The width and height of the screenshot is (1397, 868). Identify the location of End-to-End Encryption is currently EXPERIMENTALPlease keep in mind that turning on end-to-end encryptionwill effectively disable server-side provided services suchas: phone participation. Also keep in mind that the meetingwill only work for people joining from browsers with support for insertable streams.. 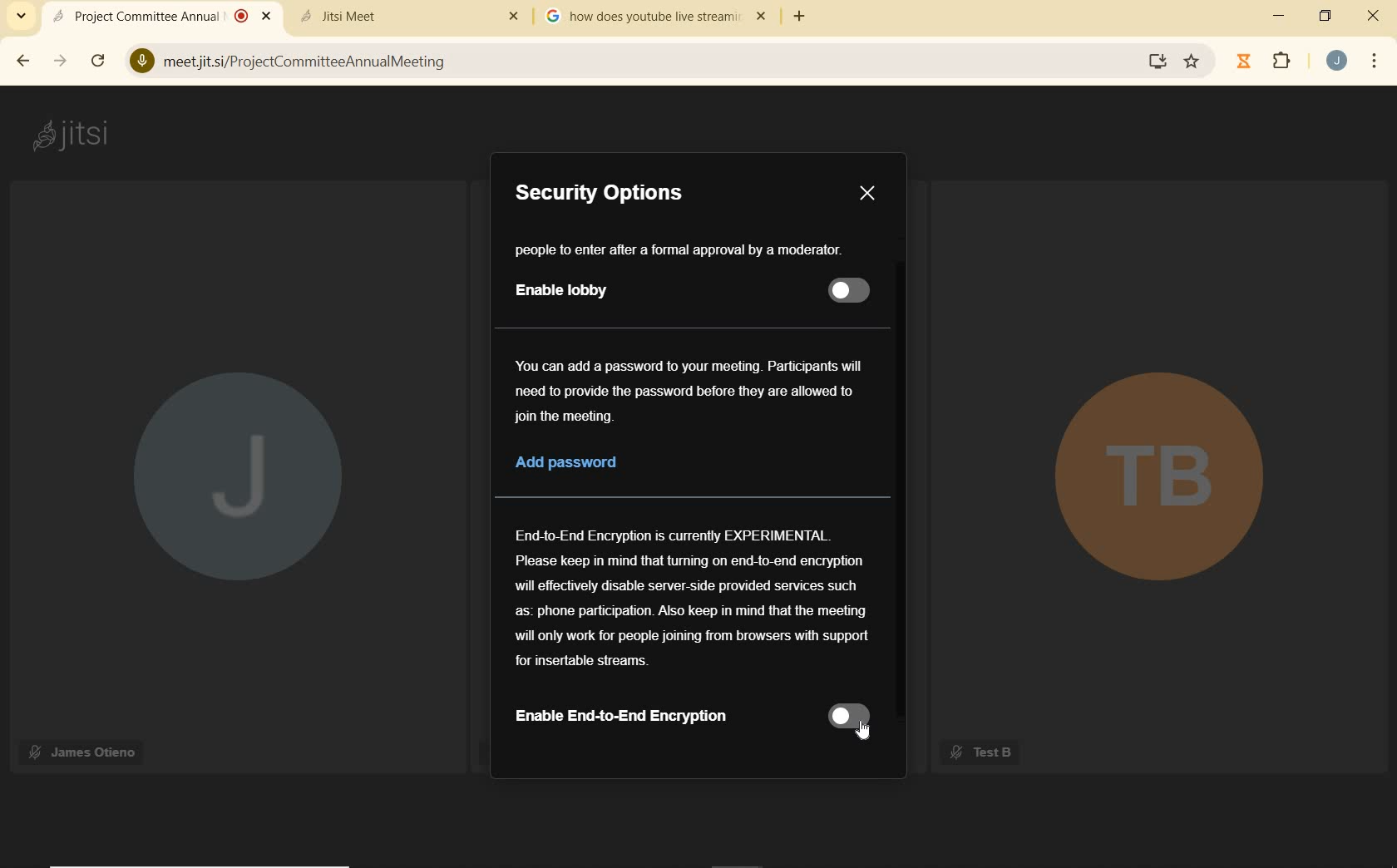
(694, 599).